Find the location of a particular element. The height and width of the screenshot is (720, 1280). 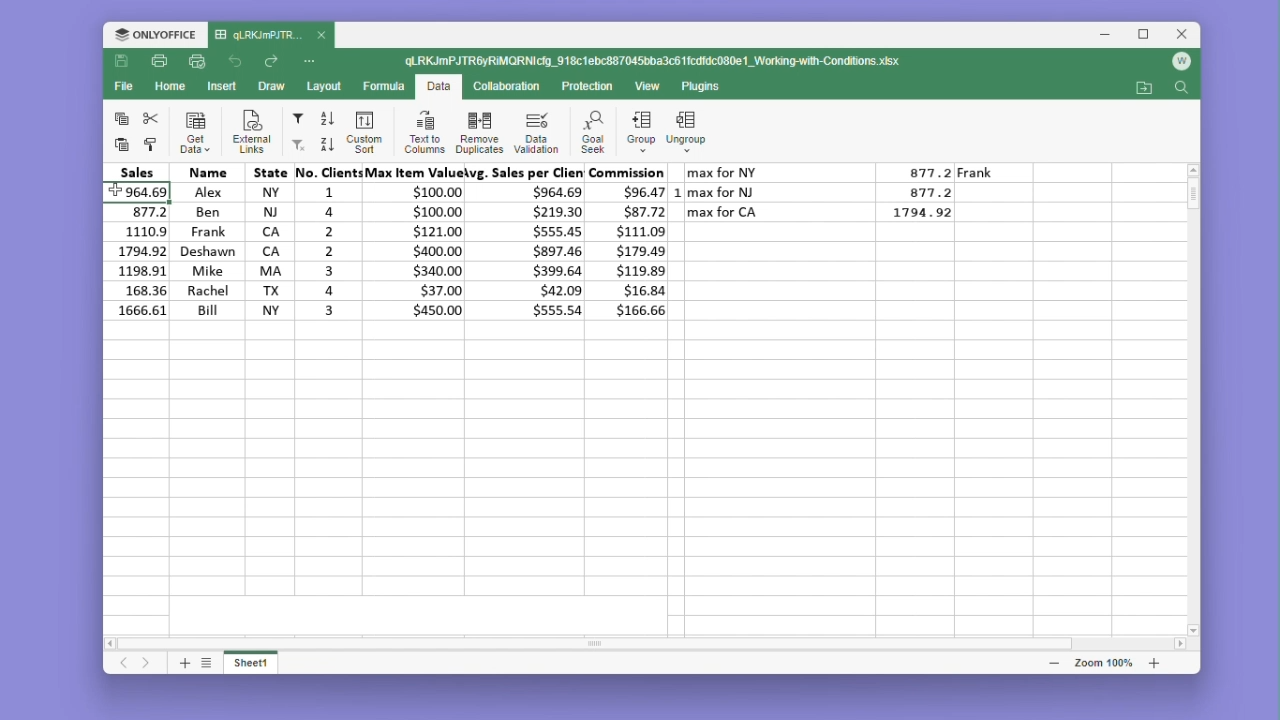

Empty cells is located at coordinates (648, 473).